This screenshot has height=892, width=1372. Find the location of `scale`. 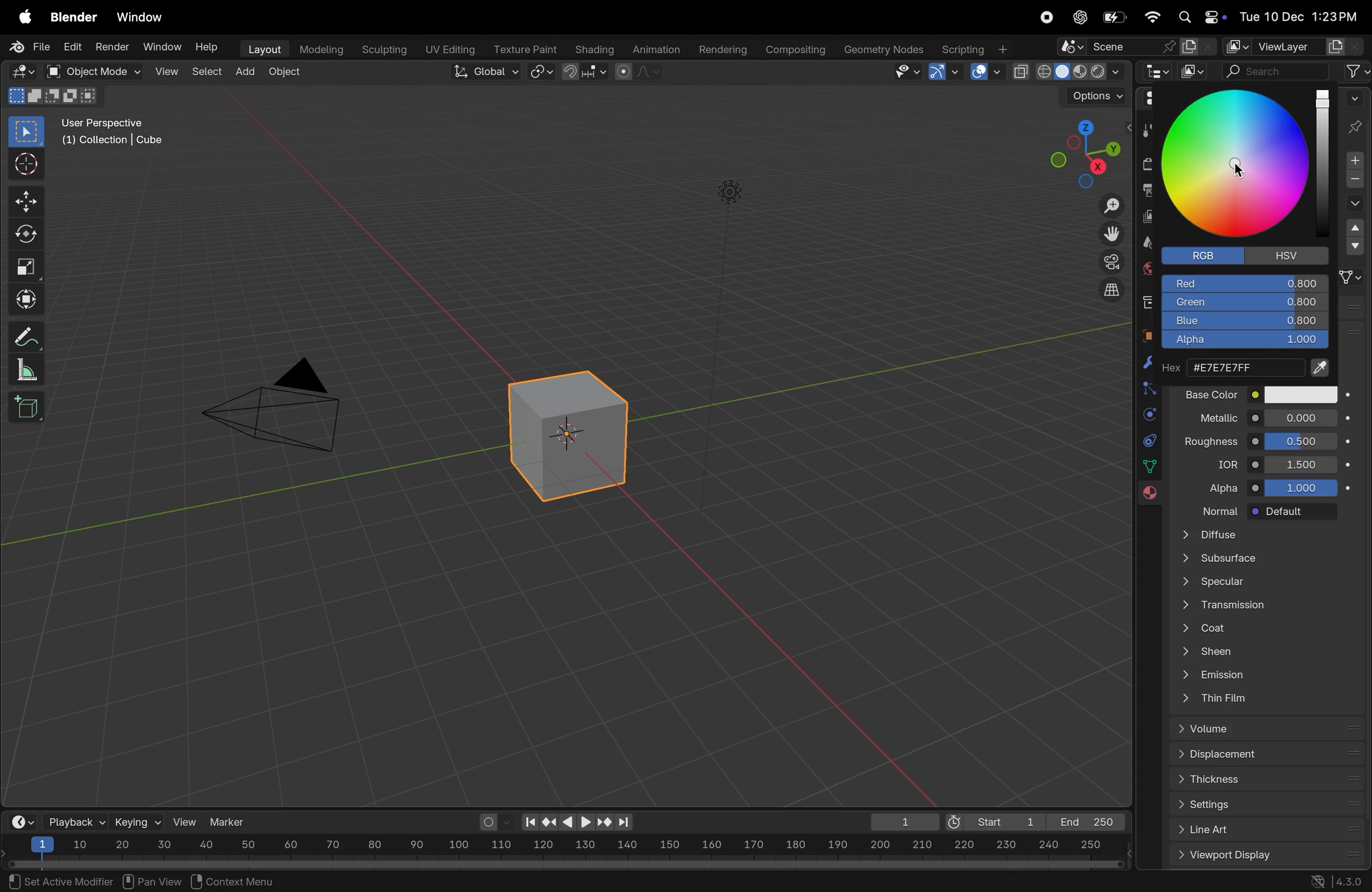

scale is located at coordinates (22, 369).